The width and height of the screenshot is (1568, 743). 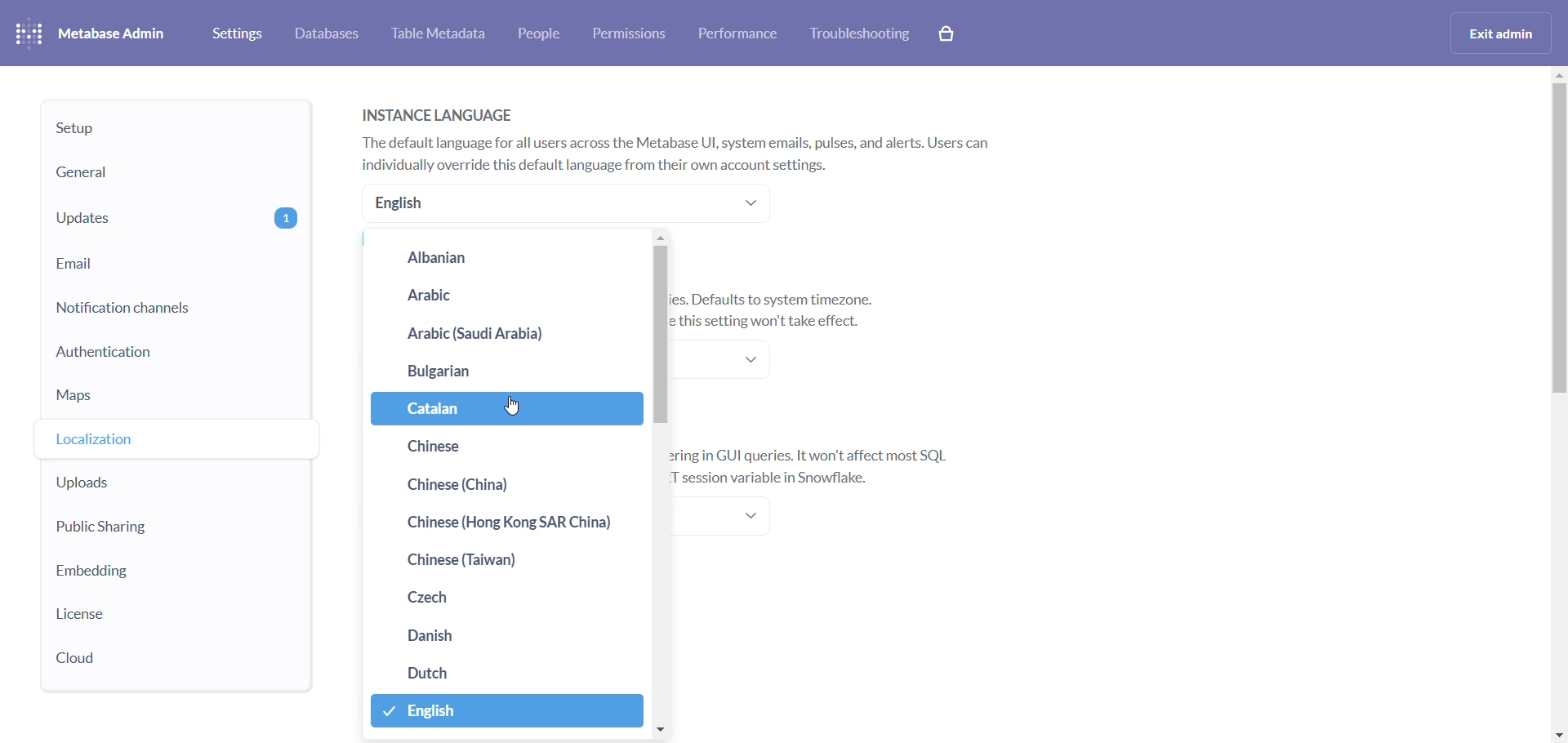 What do you see at coordinates (241, 32) in the screenshot?
I see `settings` at bounding box center [241, 32].